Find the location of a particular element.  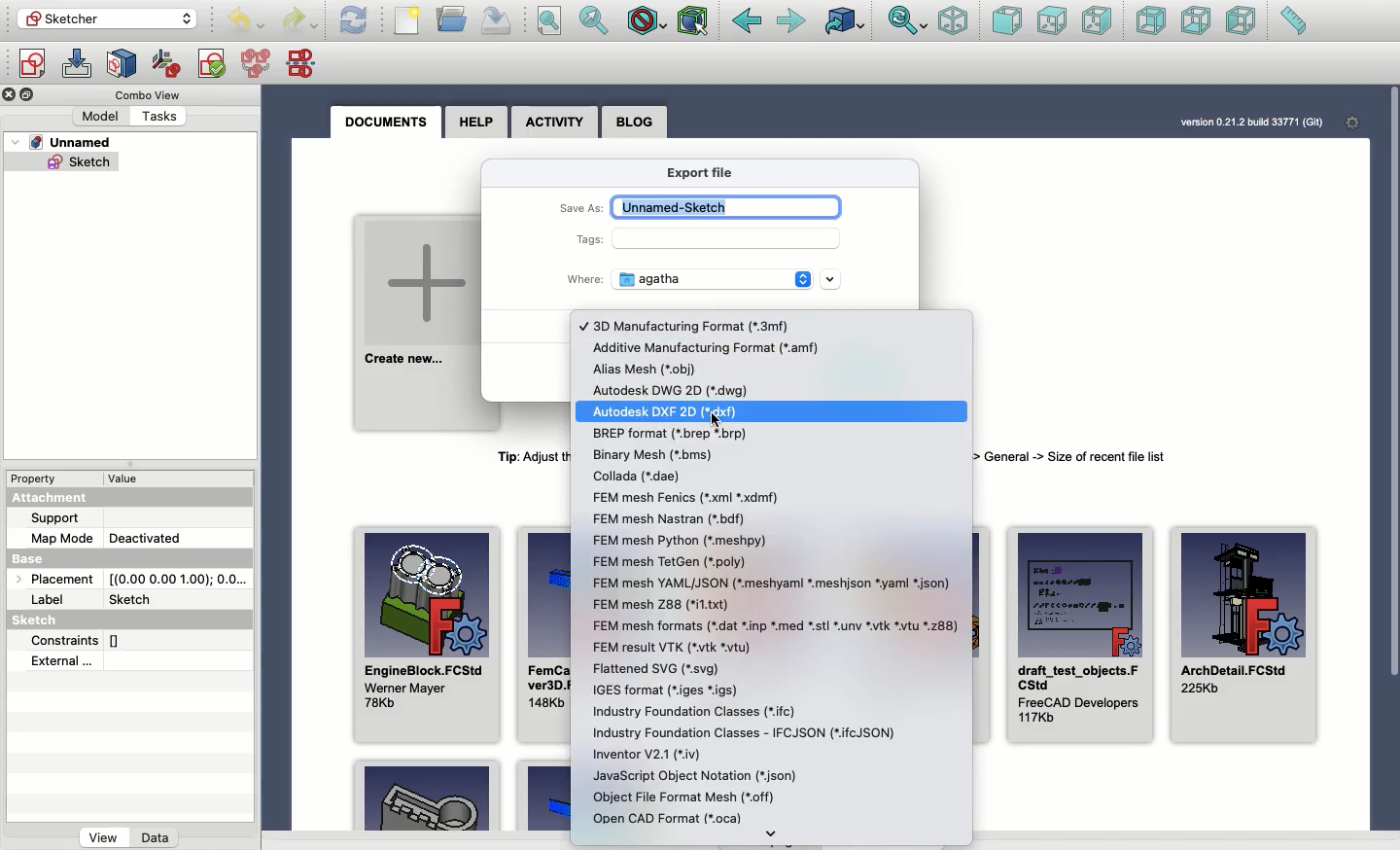

Help is located at coordinates (477, 121).